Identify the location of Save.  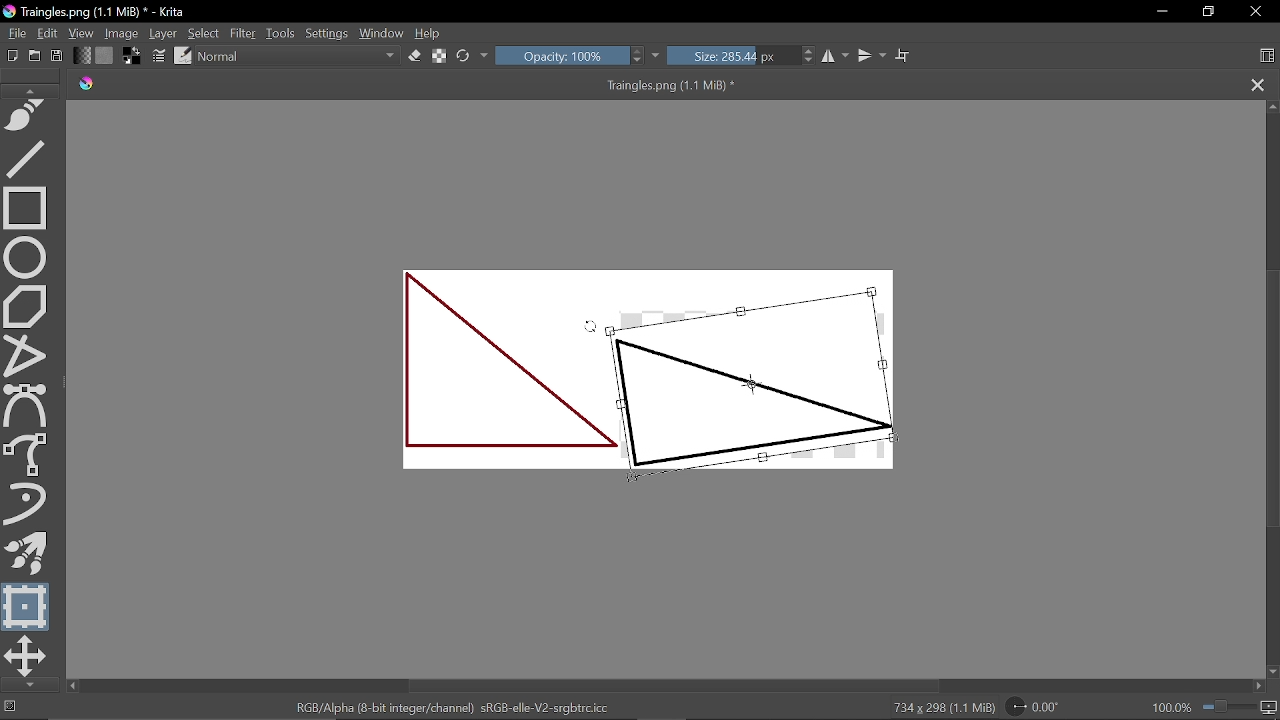
(56, 57).